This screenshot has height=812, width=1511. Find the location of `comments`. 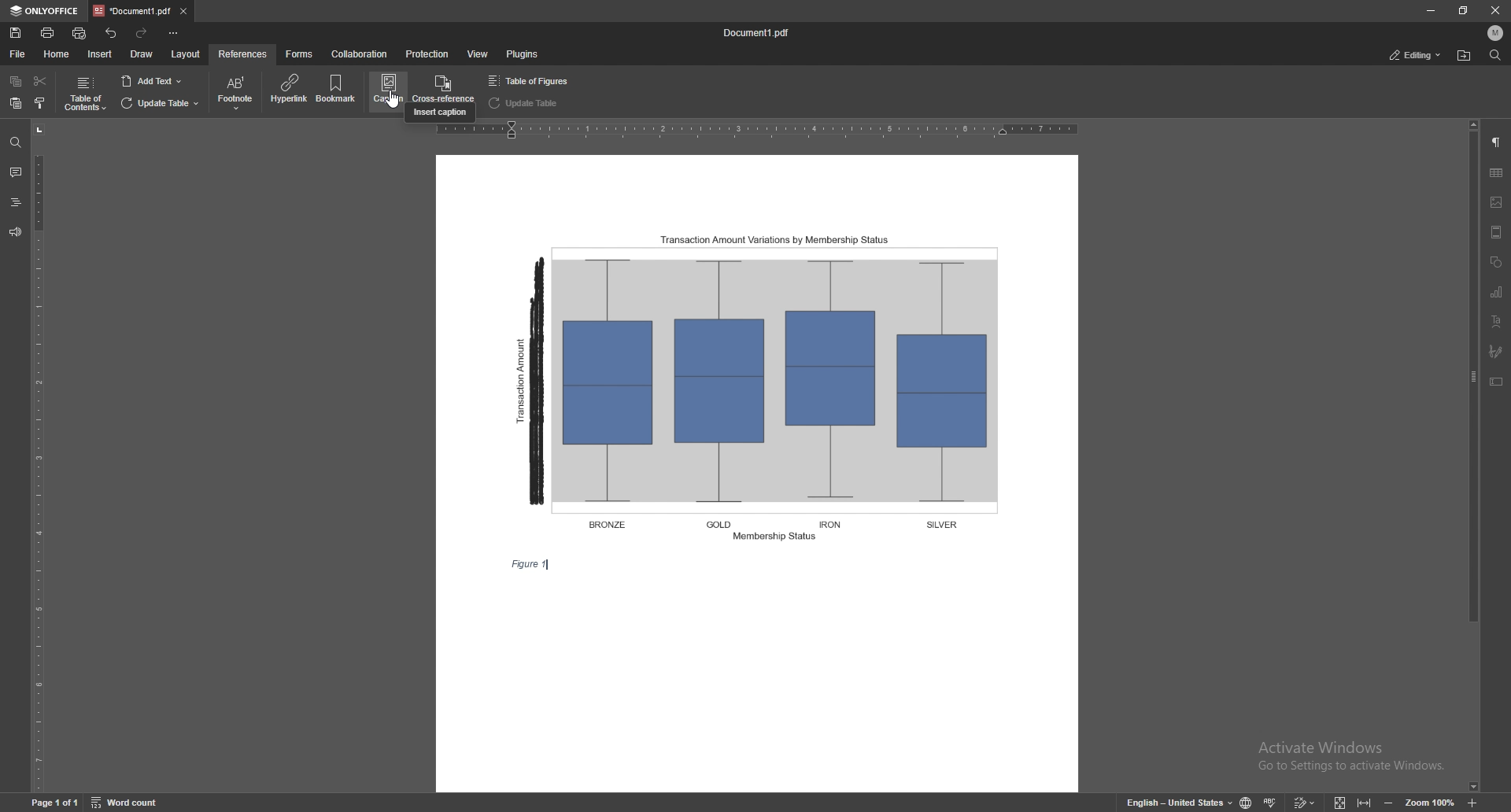

comments is located at coordinates (14, 171).